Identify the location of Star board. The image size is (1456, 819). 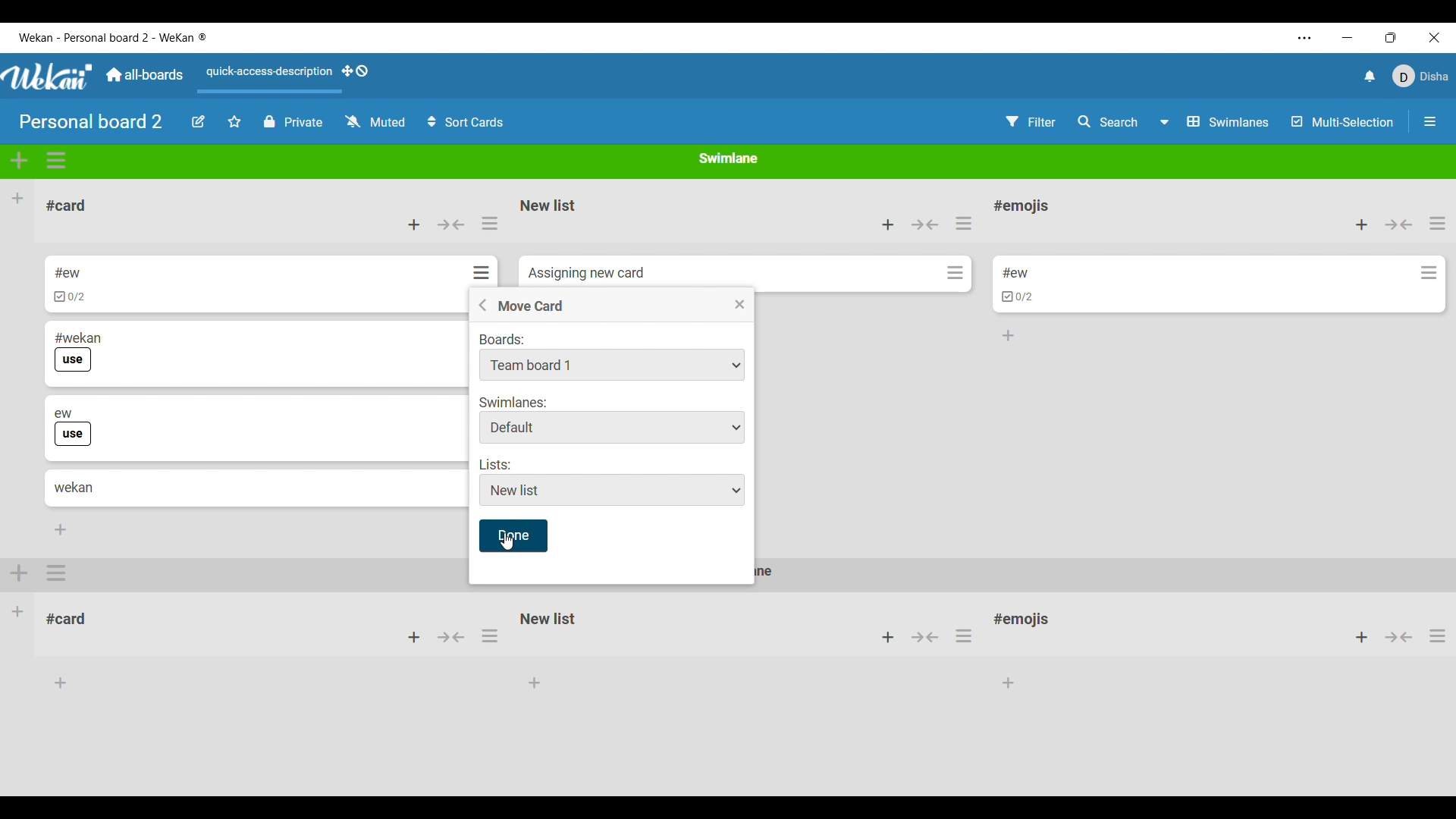
(235, 121).